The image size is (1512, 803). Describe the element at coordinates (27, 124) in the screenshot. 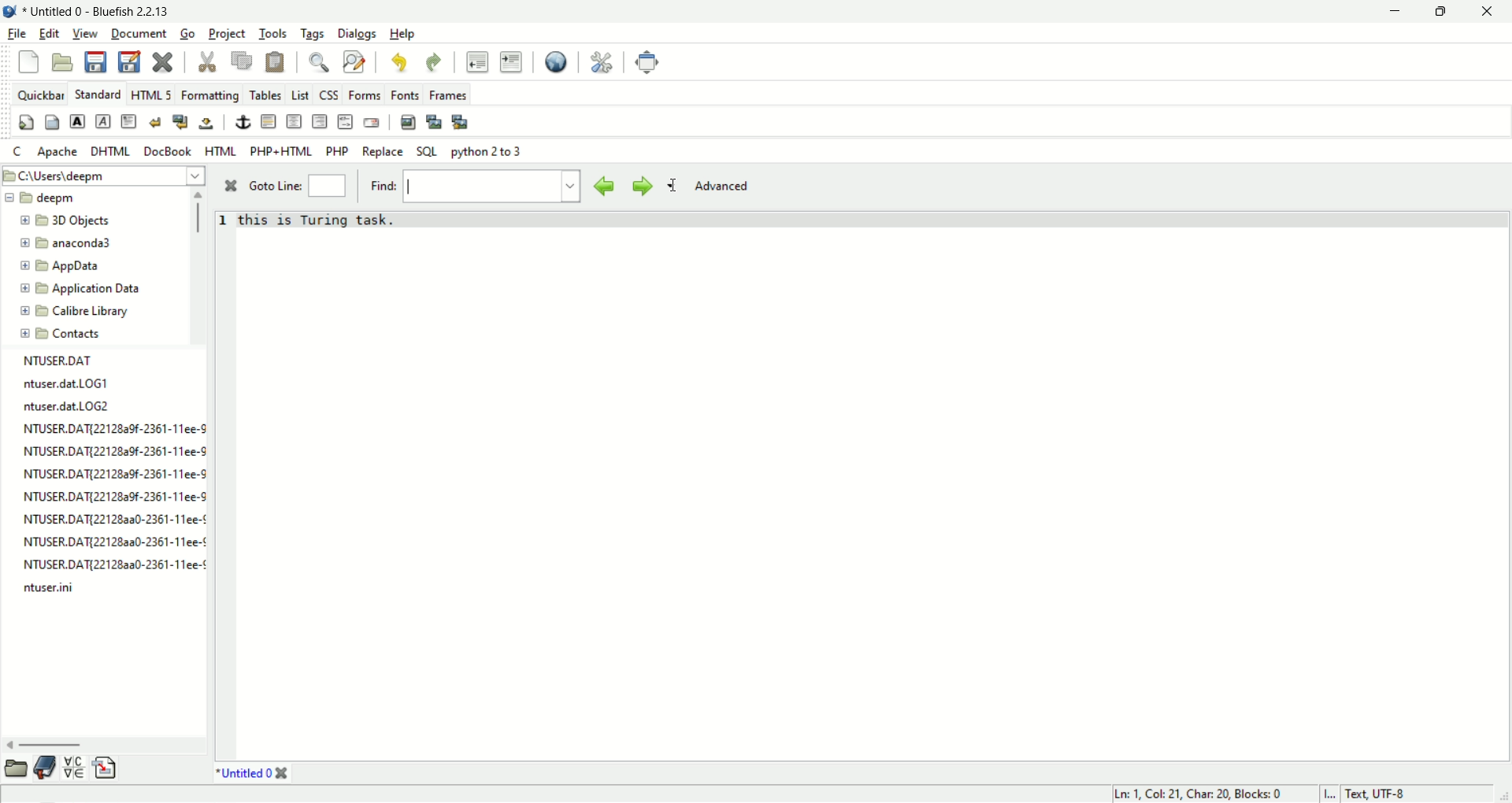

I see `quick settings` at that location.